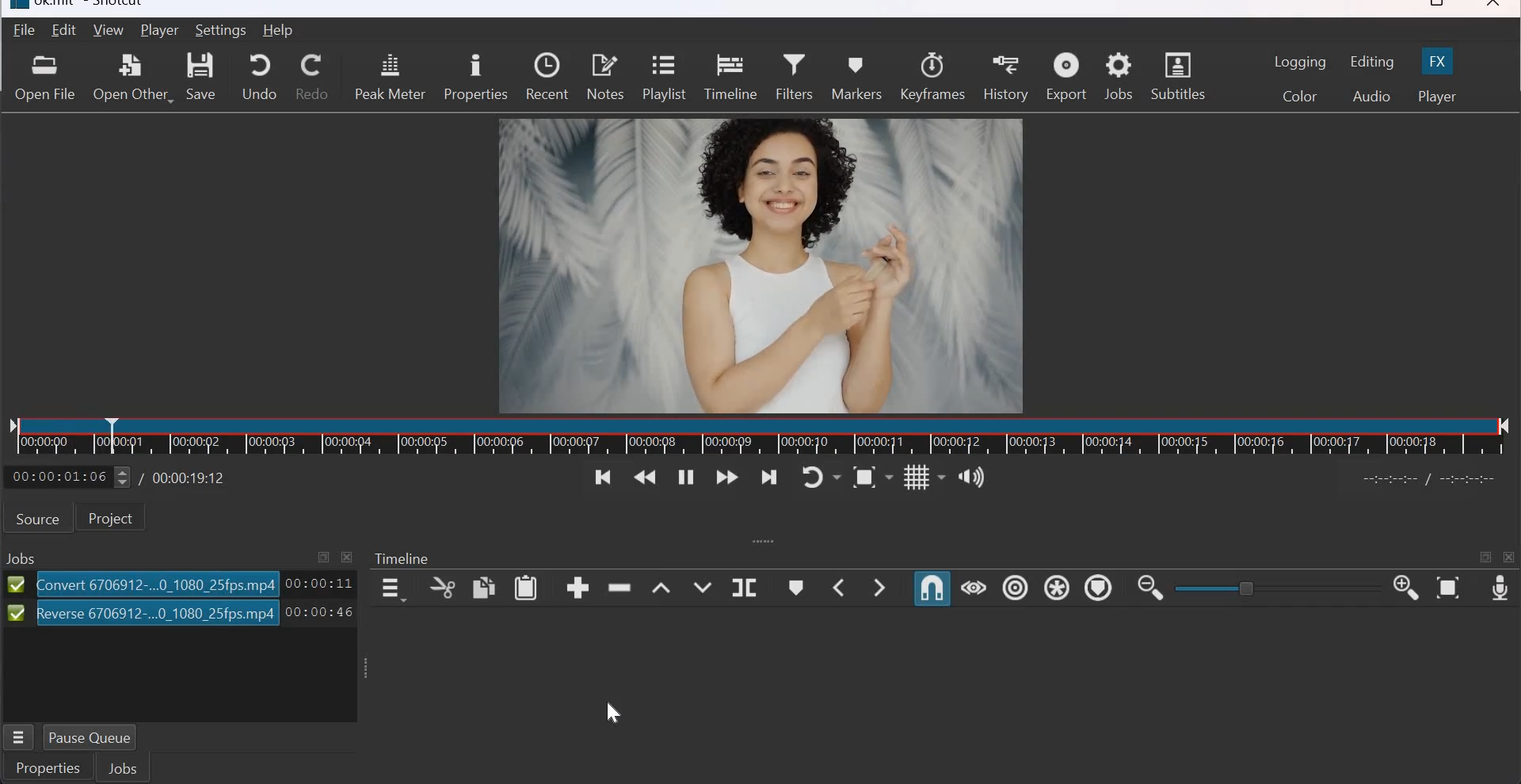  Describe the element at coordinates (770, 478) in the screenshot. I see `Skip to the next point` at that location.